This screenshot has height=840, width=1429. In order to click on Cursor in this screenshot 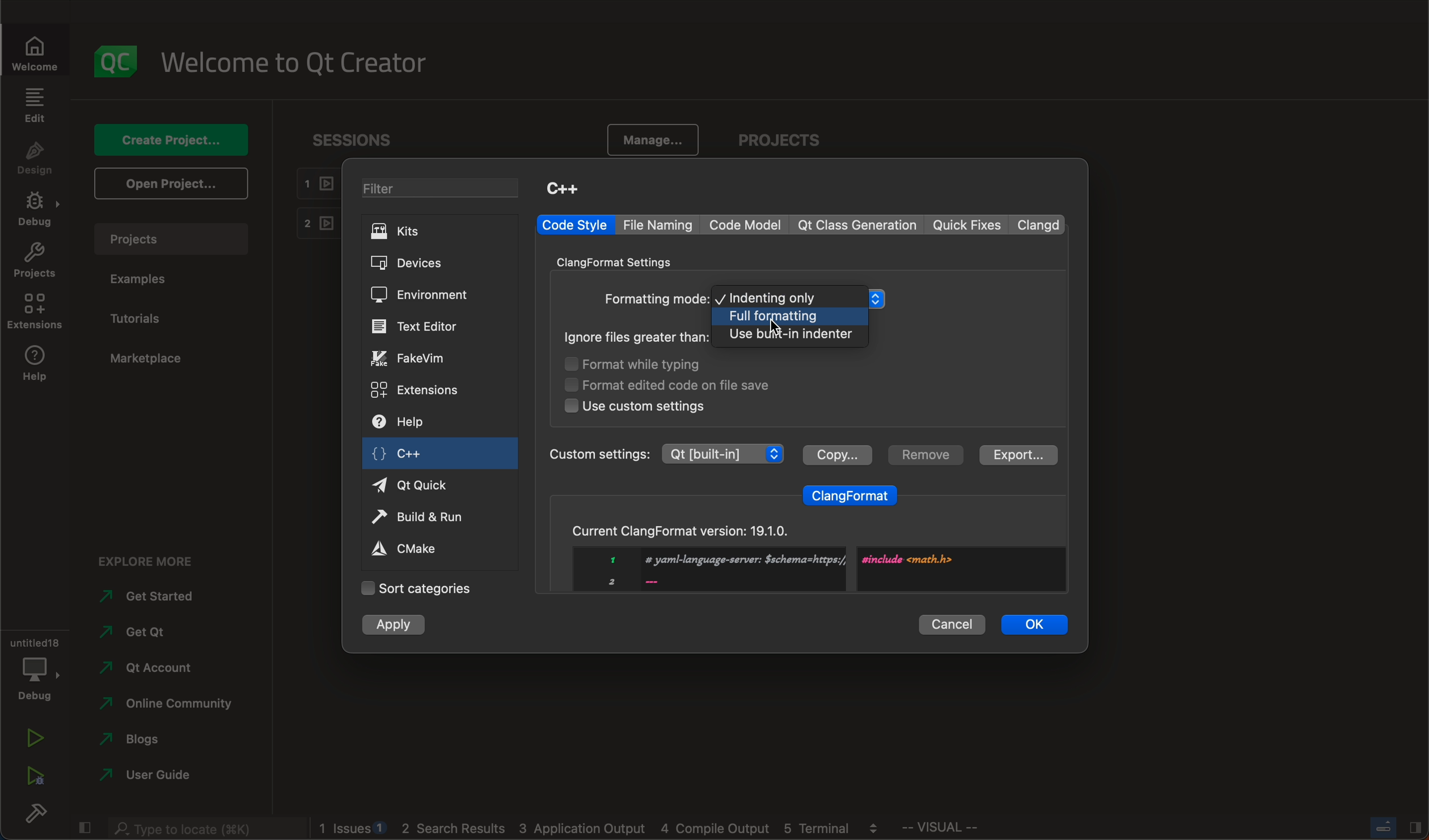, I will do `click(775, 326)`.